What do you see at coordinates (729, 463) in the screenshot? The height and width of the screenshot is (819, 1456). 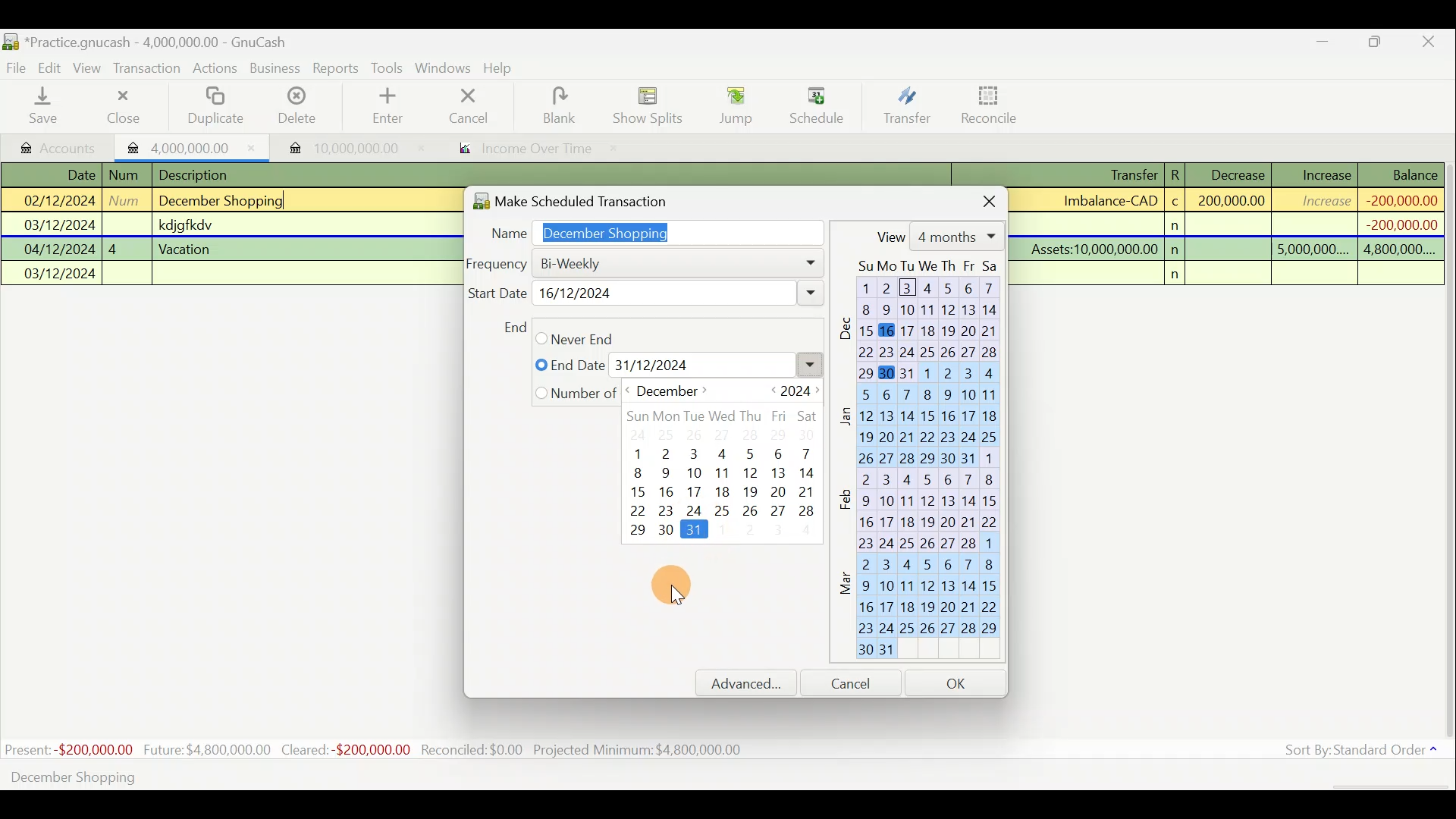 I see `Calender` at bounding box center [729, 463].